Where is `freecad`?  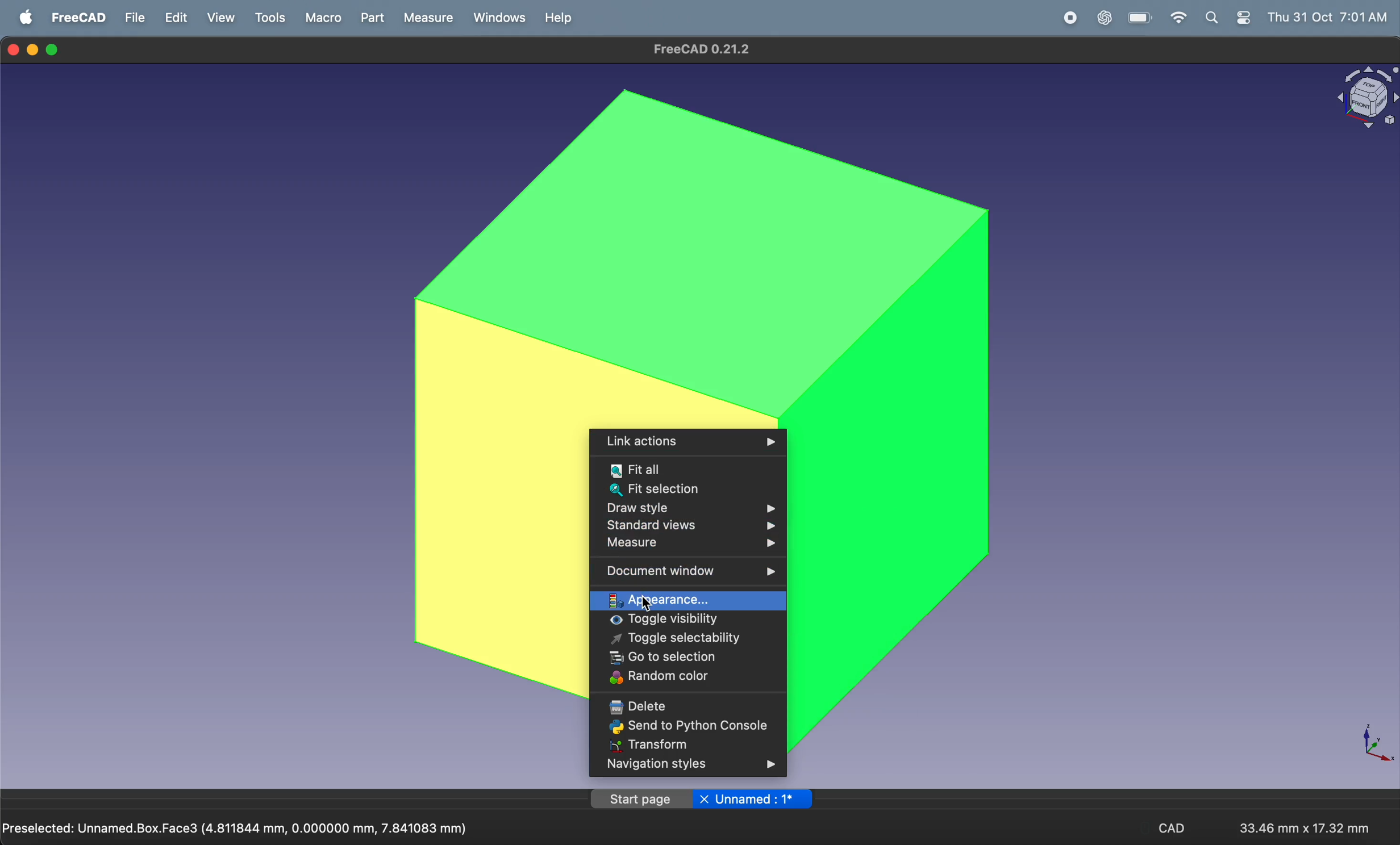
freecad is located at coordinates (77, 18).